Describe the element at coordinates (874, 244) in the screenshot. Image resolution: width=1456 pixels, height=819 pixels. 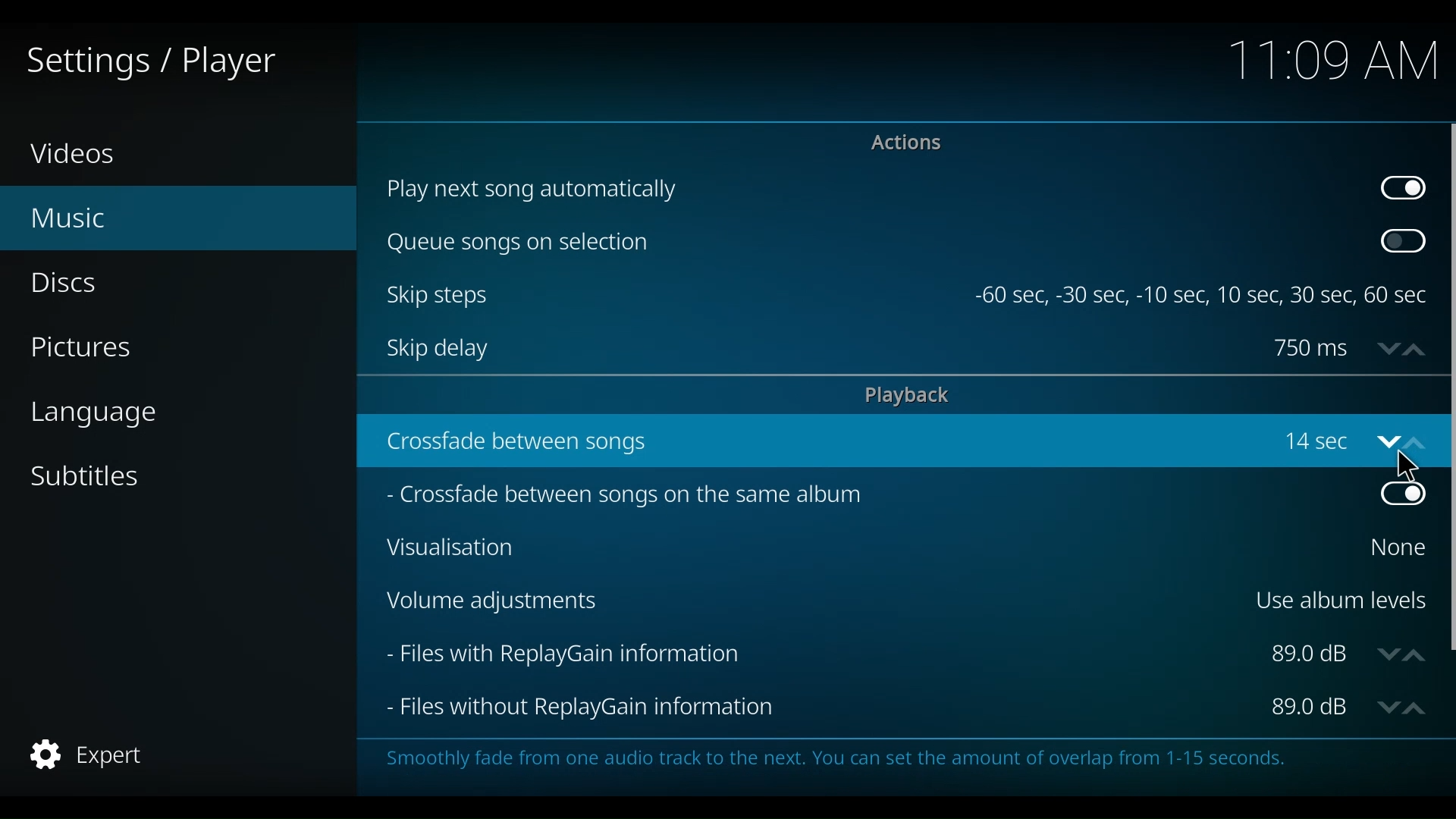
I see `Queue songs on selection` at that location.